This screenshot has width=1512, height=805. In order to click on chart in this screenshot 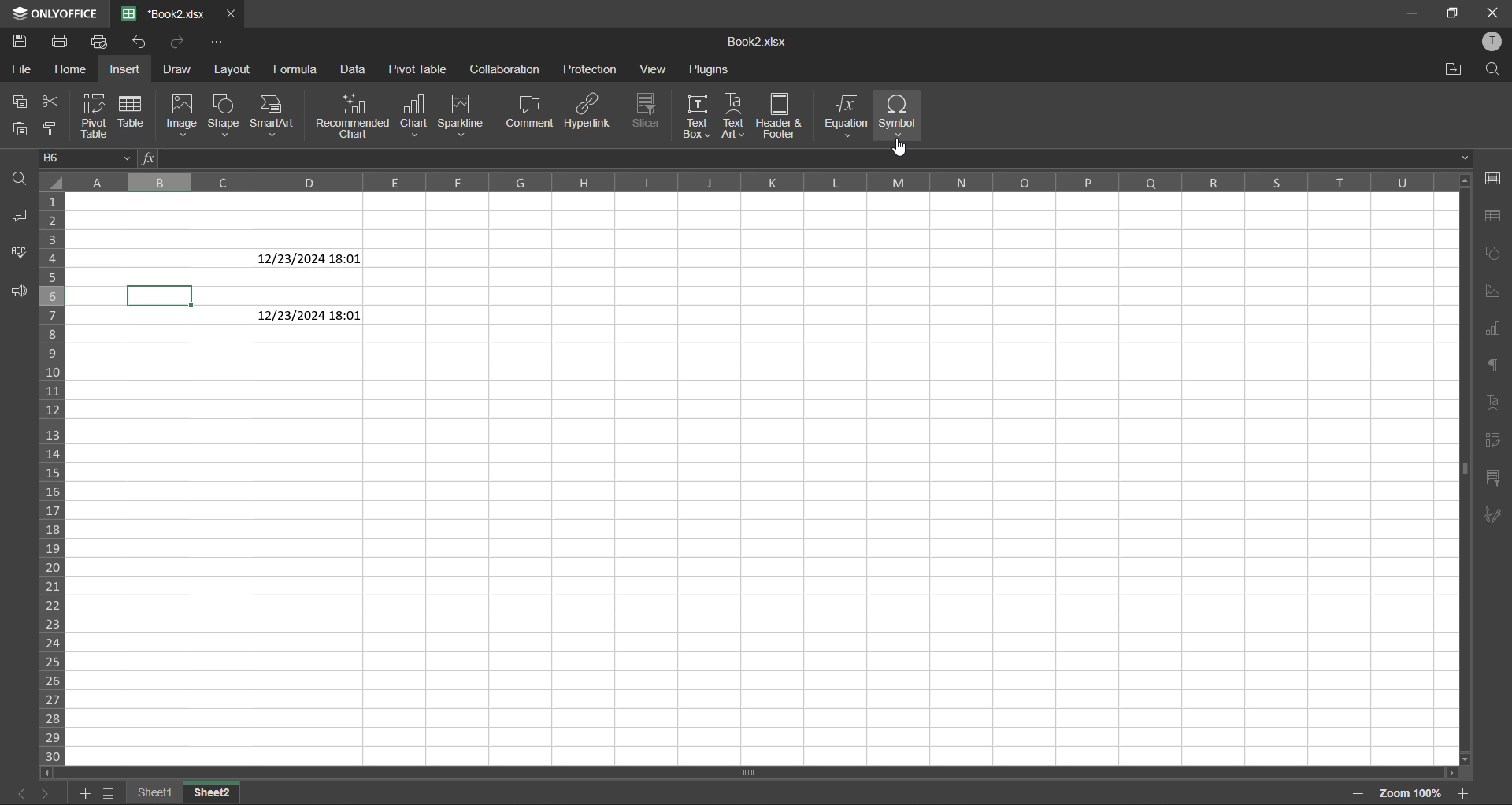, I will do `click(1492, 253)`.